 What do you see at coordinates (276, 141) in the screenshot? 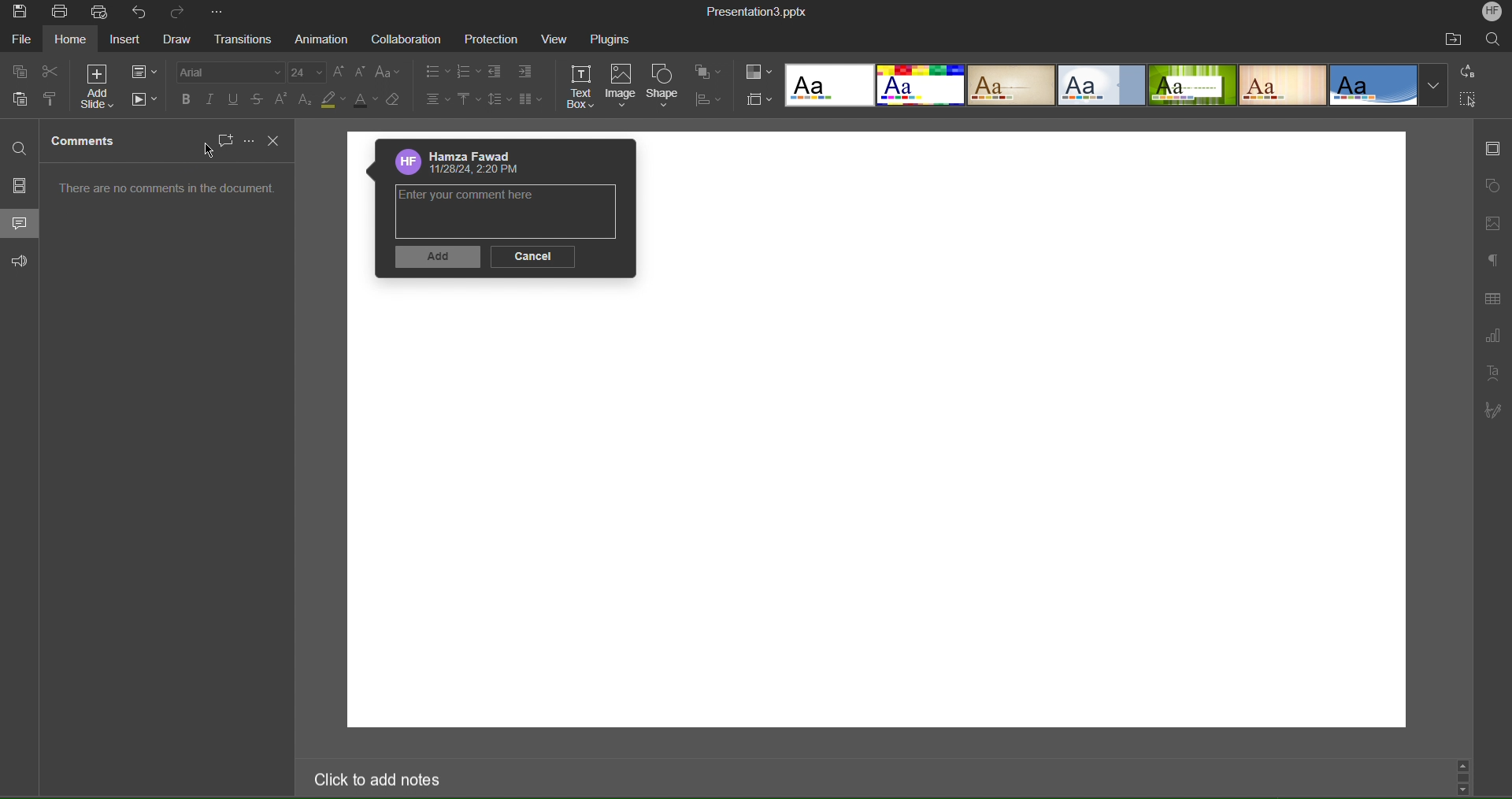
I see `Close` at bounding box center [276, 141].